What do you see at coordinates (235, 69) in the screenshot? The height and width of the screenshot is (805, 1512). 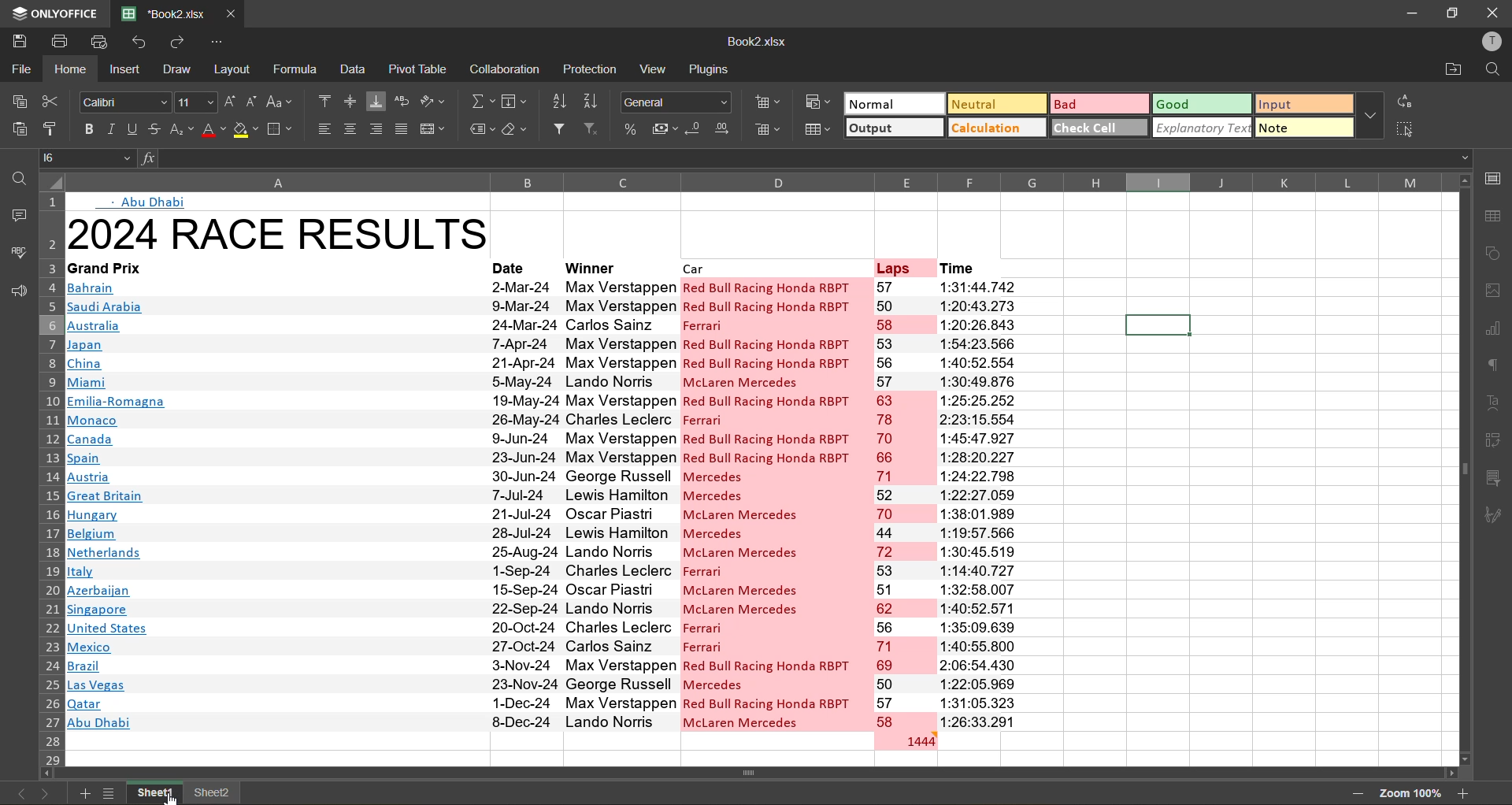 I see `layout` at bounding box center [235, 69].